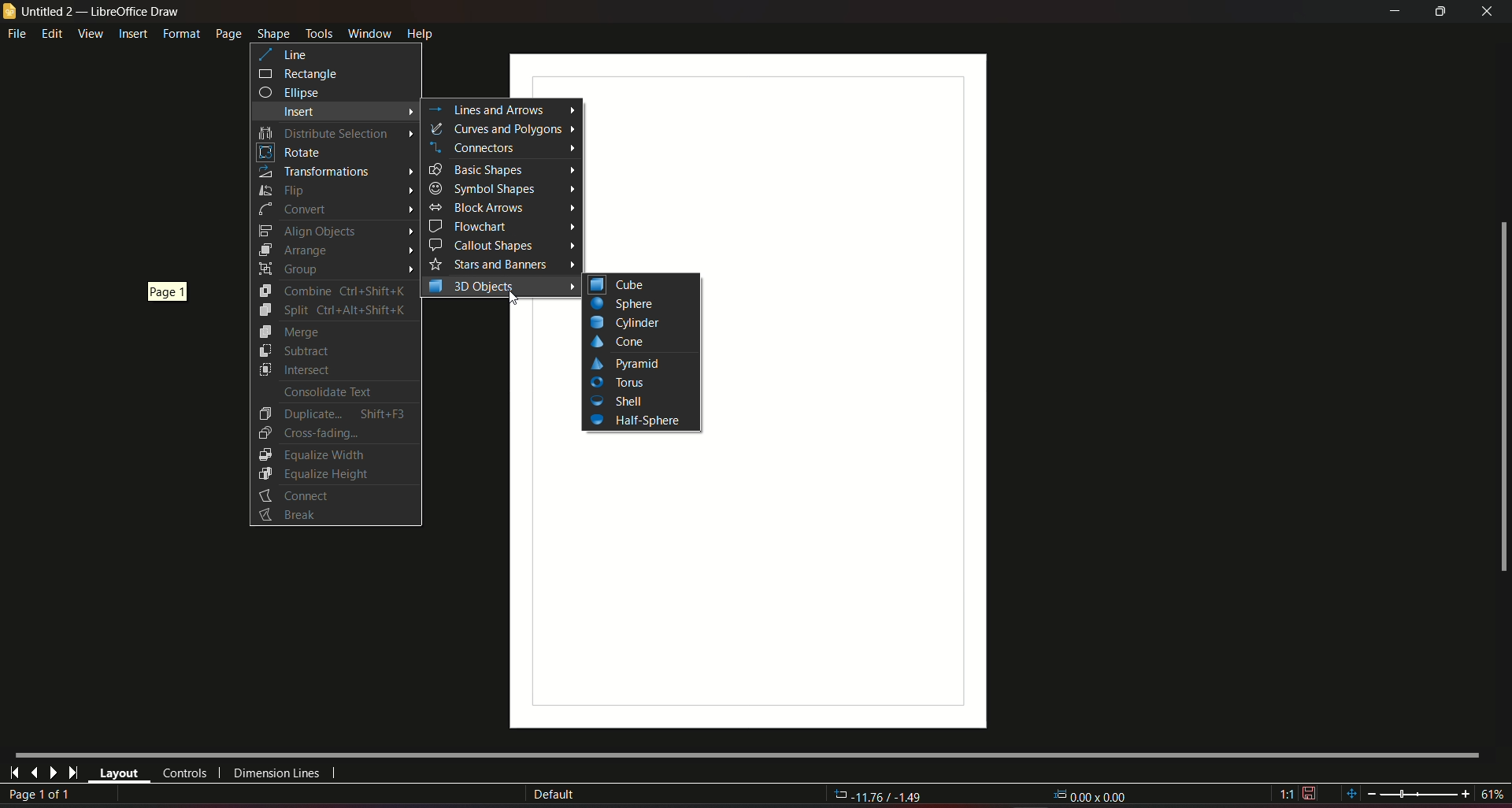  What do you see at coordinates (287, 517) in the screenshot?
I see `` at bounding box center [287, 517].